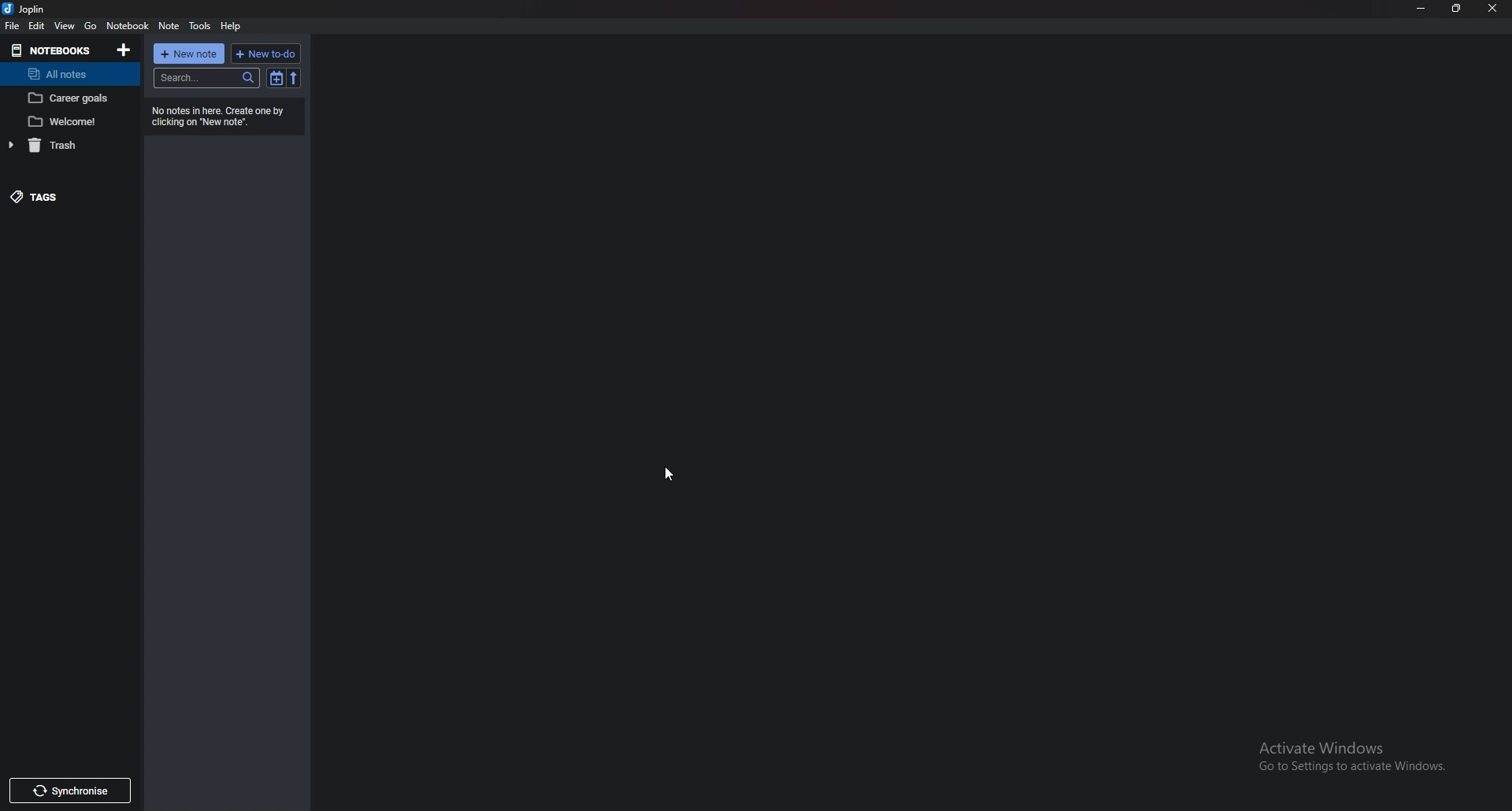  Describe the element at coordinates (90, 26) in the screenshot. I see `go` at that location.